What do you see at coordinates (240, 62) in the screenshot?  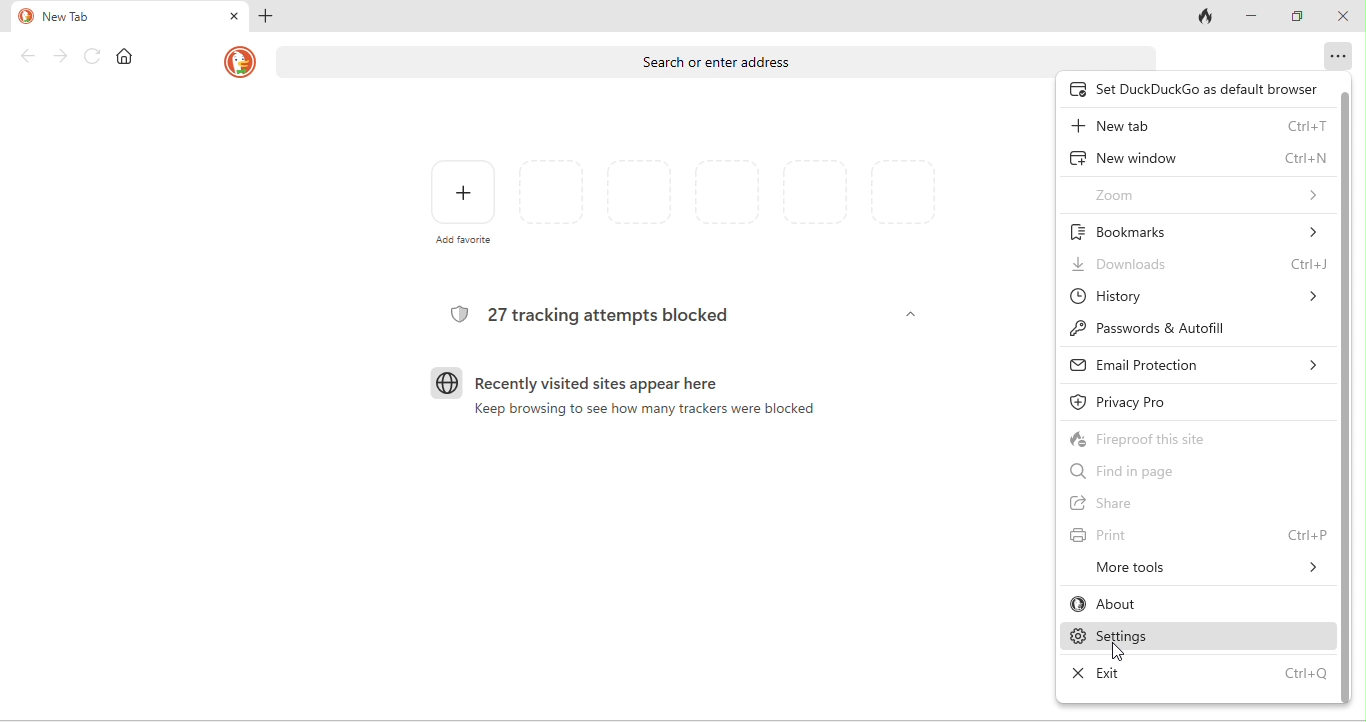 I see `duck duck go logo` at bounding box center [240, 62].